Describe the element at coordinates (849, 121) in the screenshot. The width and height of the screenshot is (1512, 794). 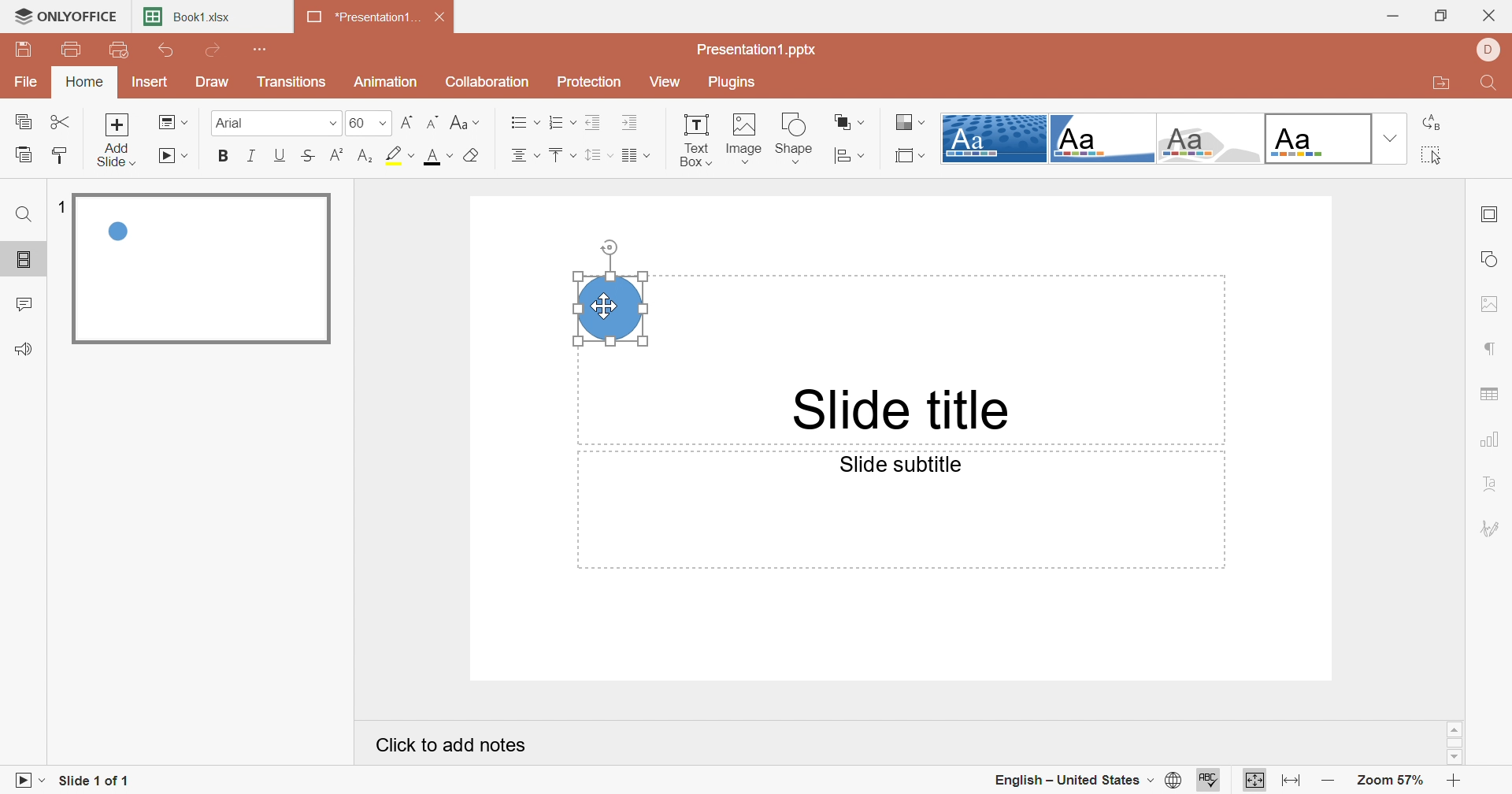
I see `Arrange shape` at that location.